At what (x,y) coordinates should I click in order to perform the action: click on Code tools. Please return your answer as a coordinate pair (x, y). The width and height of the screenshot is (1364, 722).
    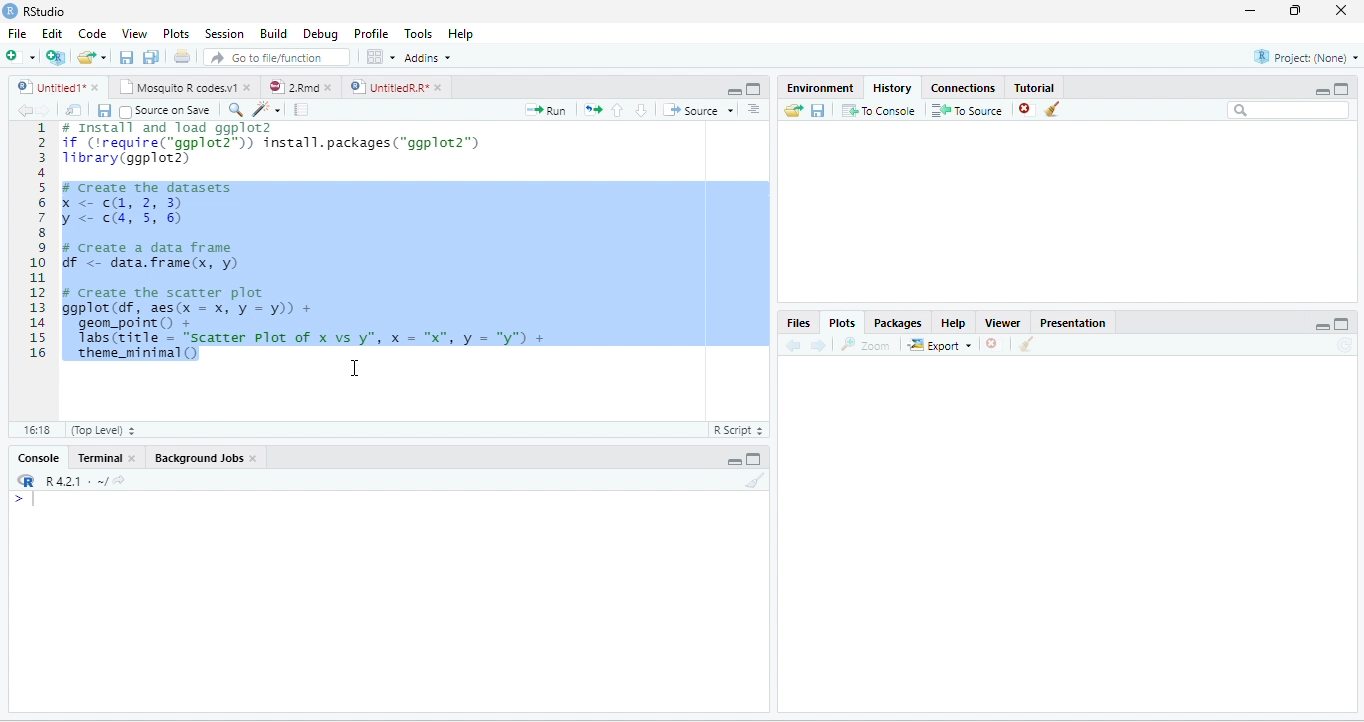
    Looking at the image, I should click on (268, 110).